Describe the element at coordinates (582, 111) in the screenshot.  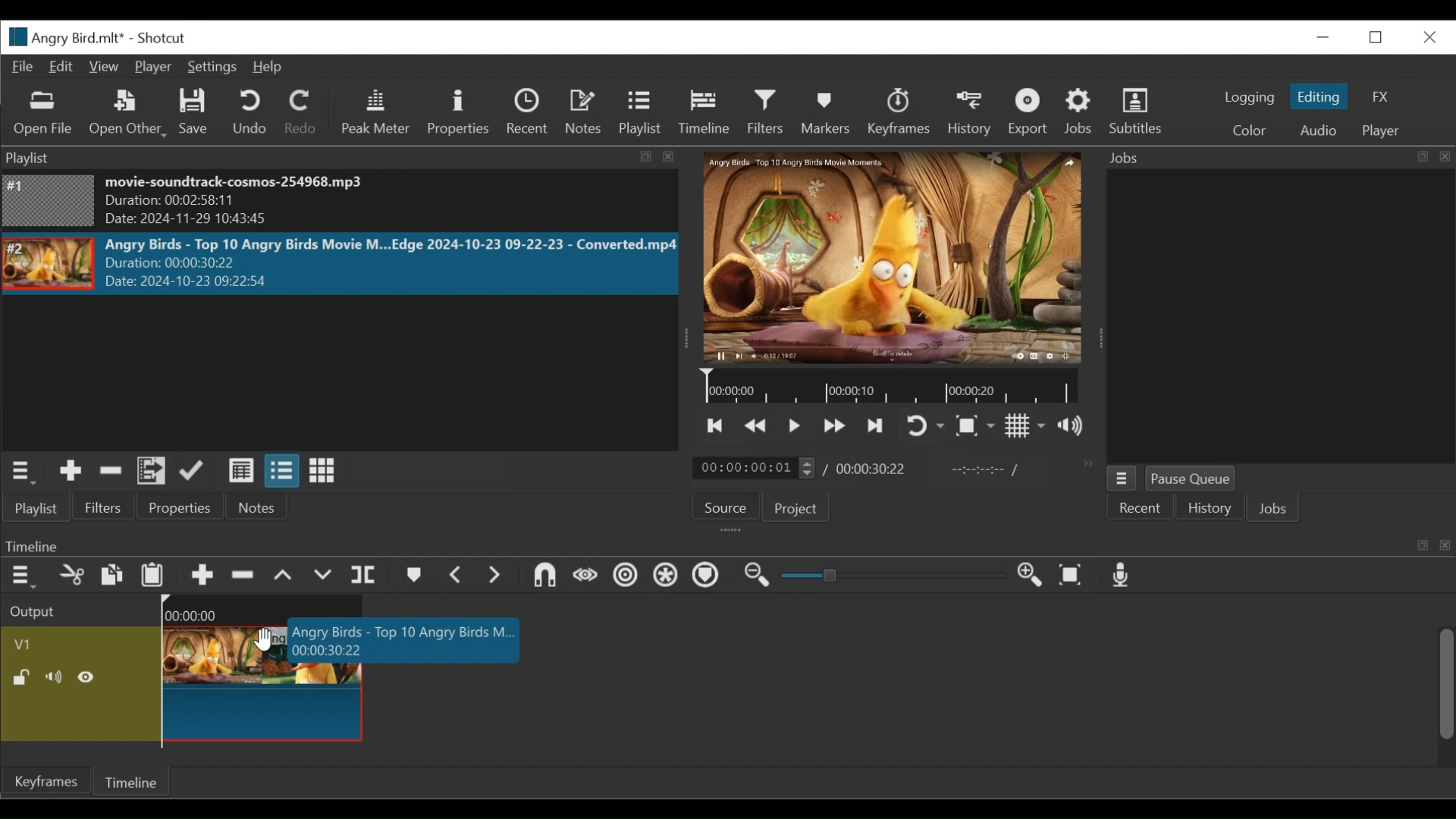
I see `Notes` at that location.